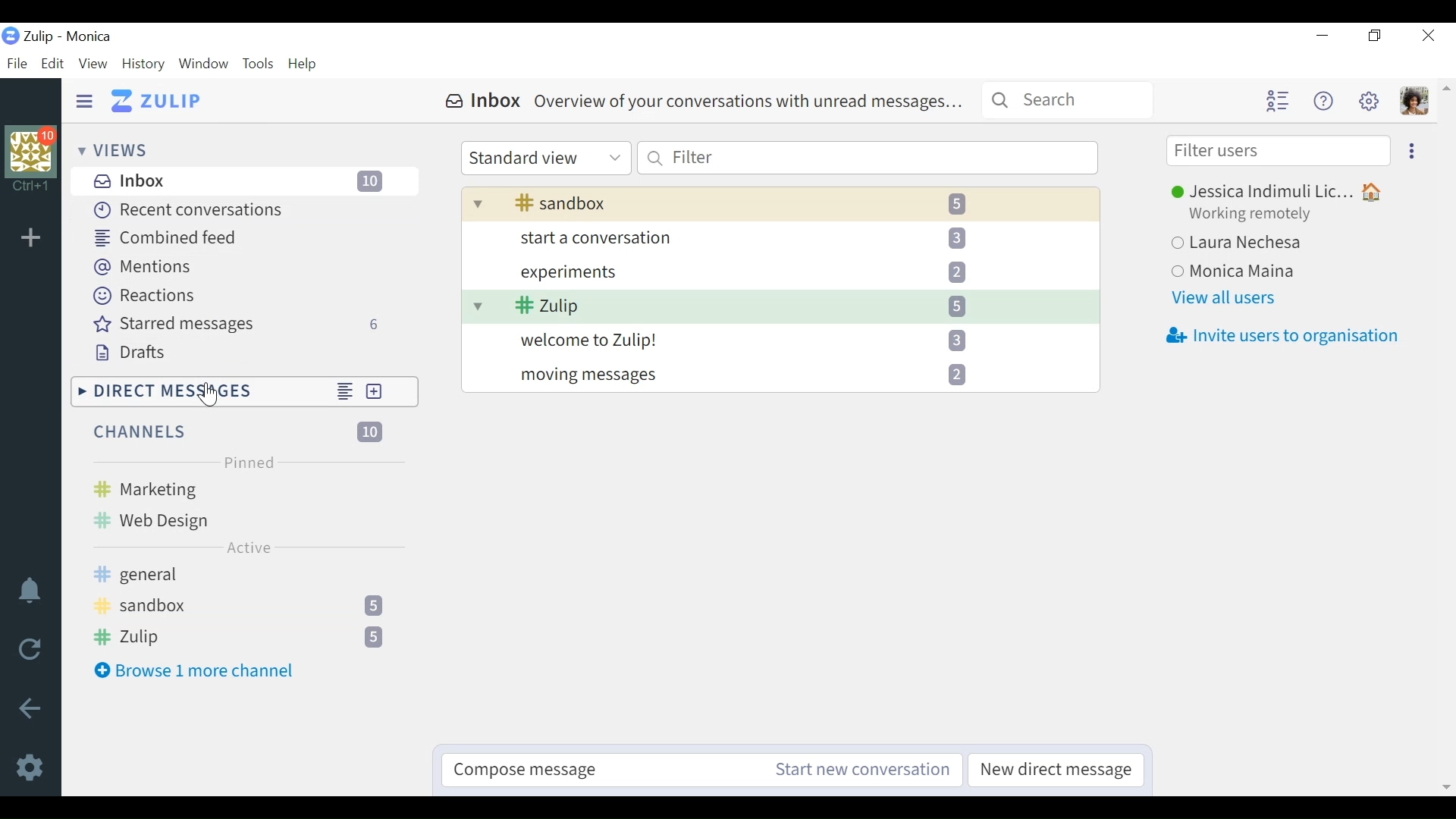  What do you see at coordinates (248, 461) in the screenshot?
I see `Pinned` at bounding box center [248, 461].